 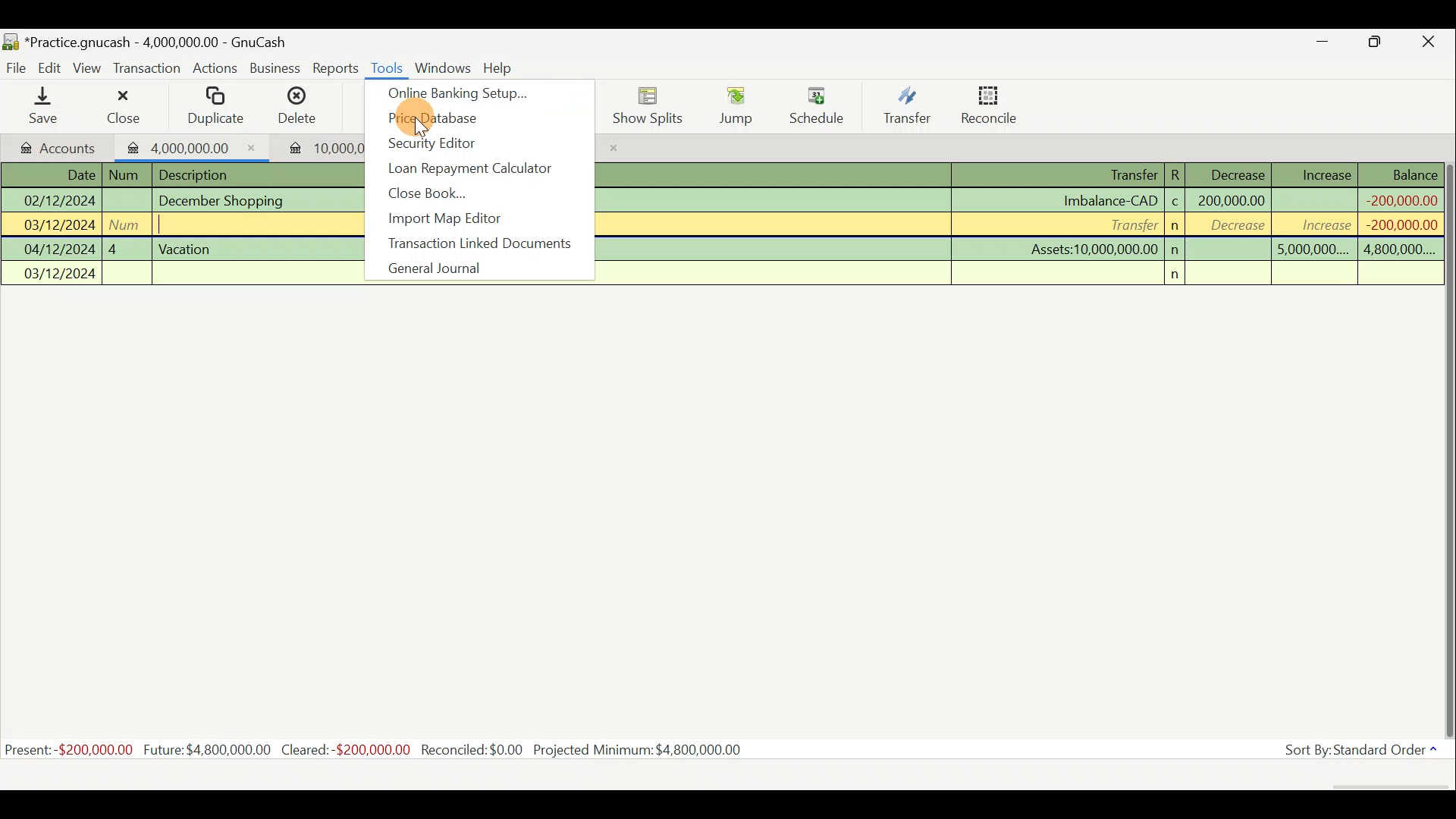 What do you see at coordinates (904, 108) in the screenshot?
I see `Transfer` at bounding box center [904, 108].